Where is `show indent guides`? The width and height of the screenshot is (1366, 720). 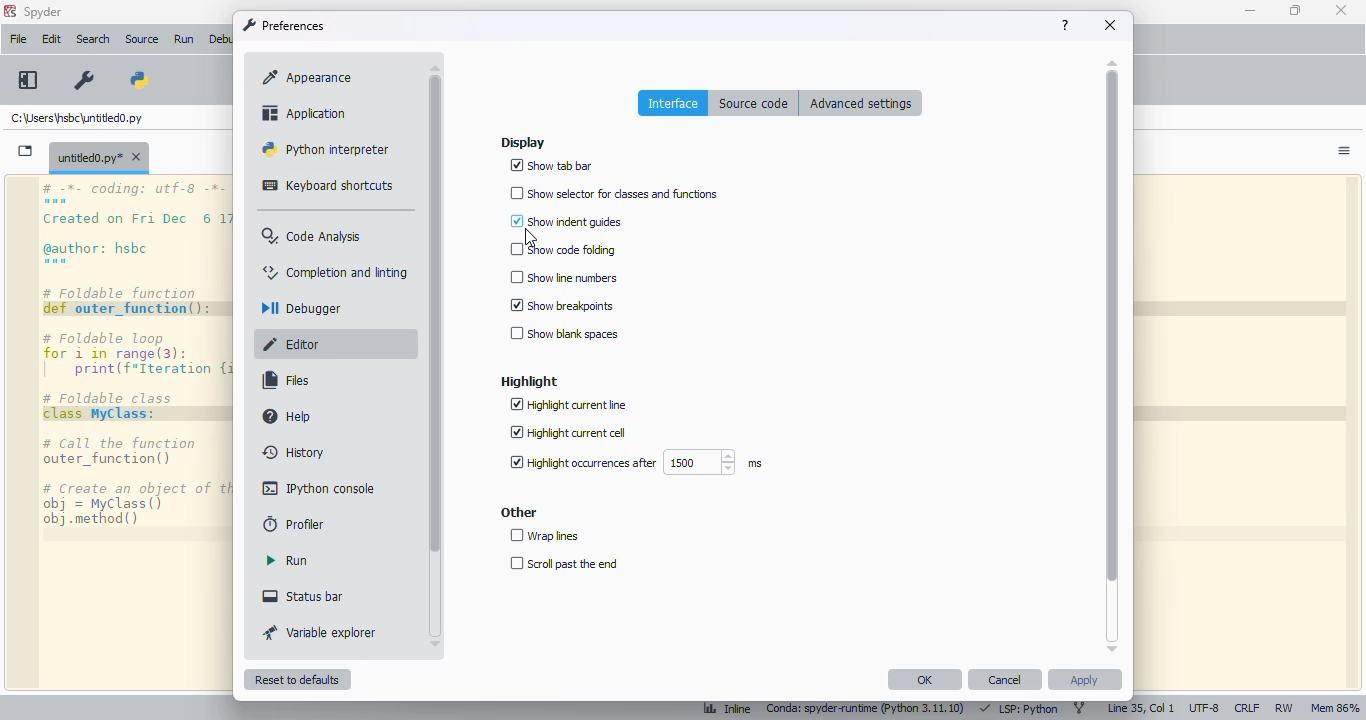 show indent guides is located at coordinates (564, 221).